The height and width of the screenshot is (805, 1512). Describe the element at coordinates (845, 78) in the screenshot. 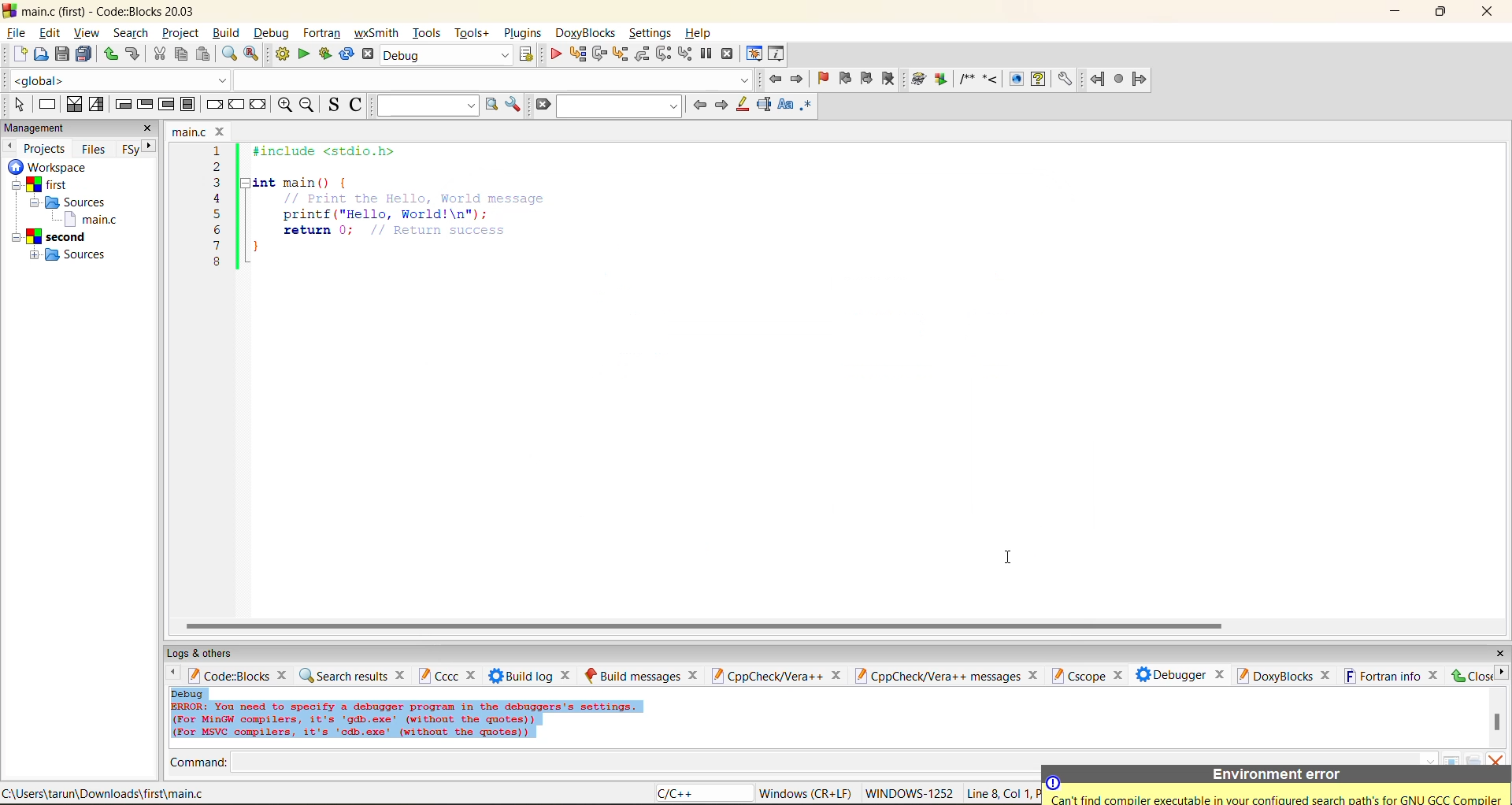

I see `previous bookmark` at that location.